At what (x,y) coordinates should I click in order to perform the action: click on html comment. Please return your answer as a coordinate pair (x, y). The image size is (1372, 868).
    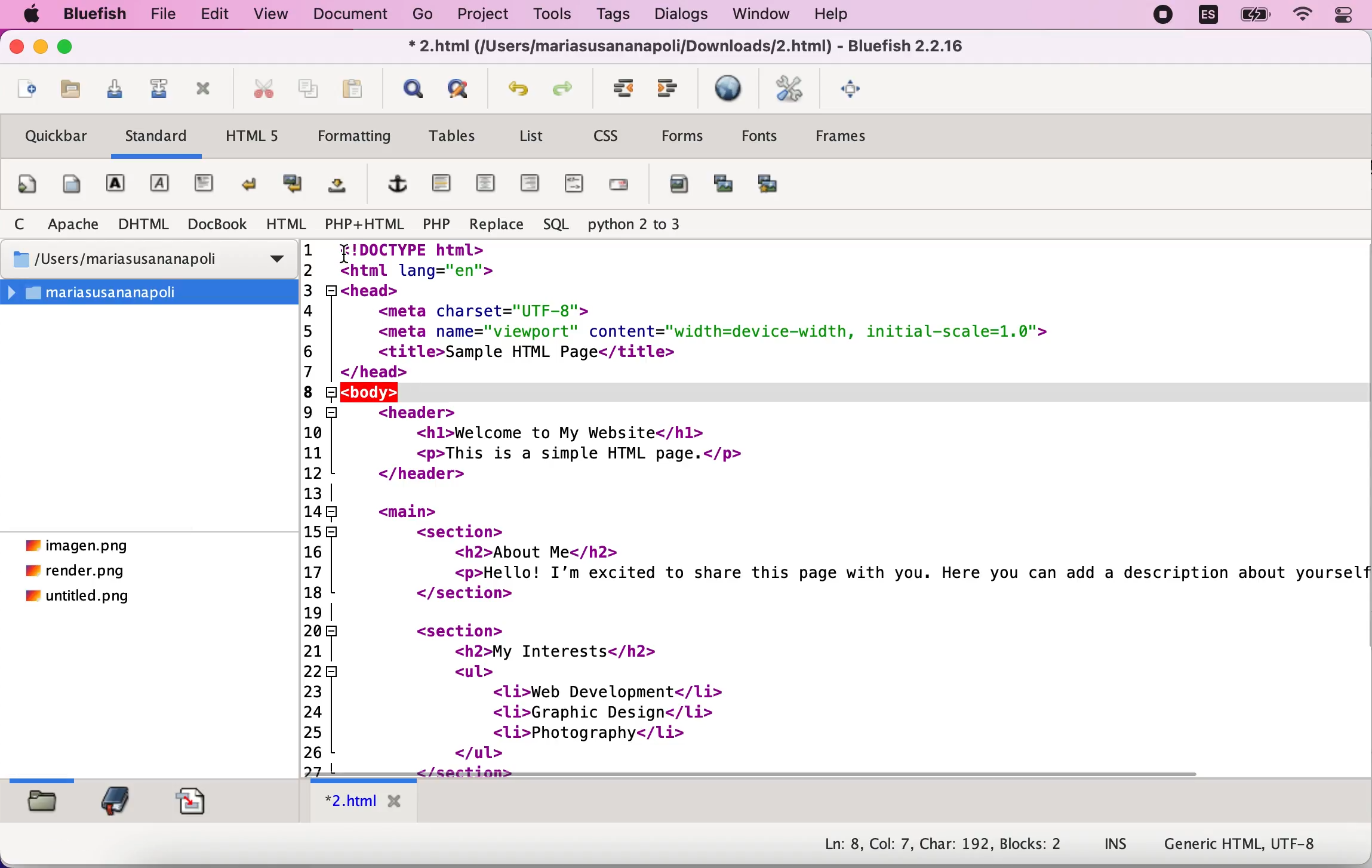
    Looking at the image, I should click on (570, 184).